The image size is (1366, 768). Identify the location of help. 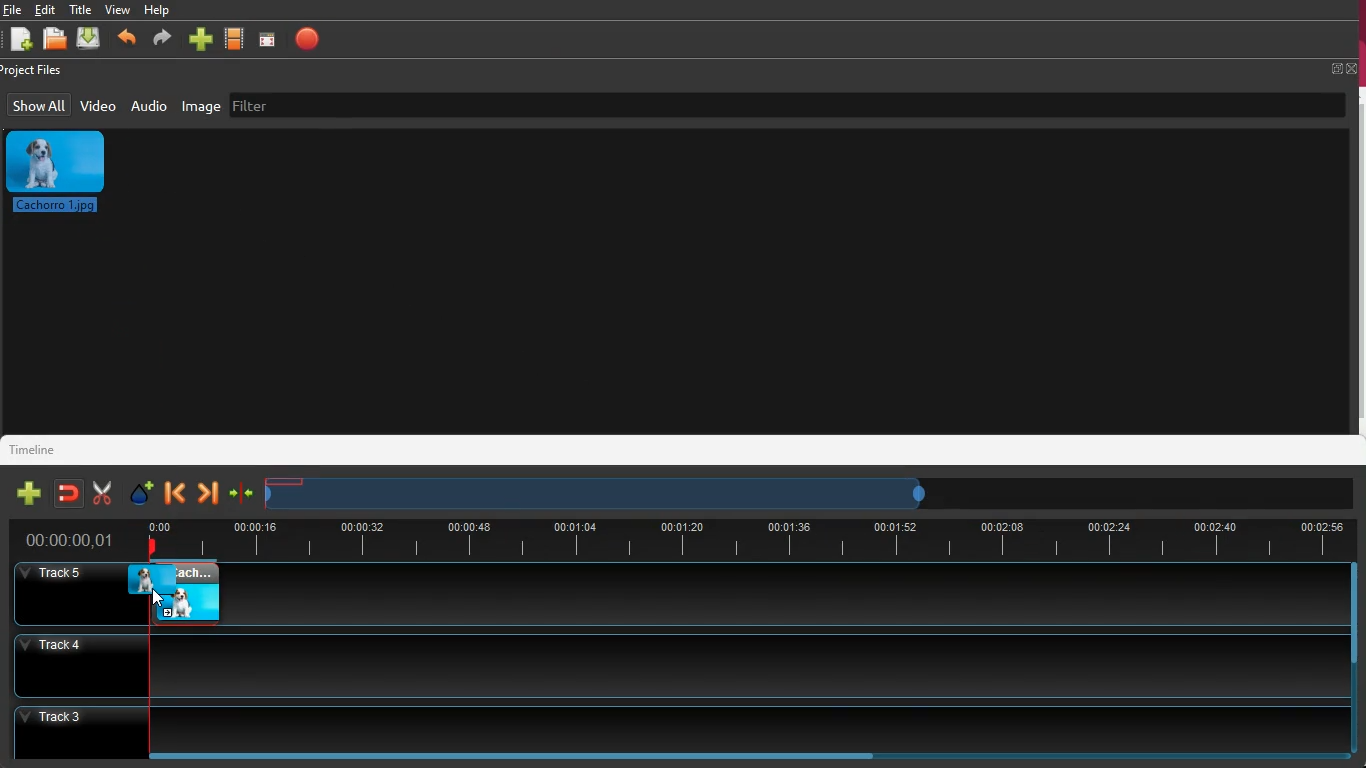
(161, 10).